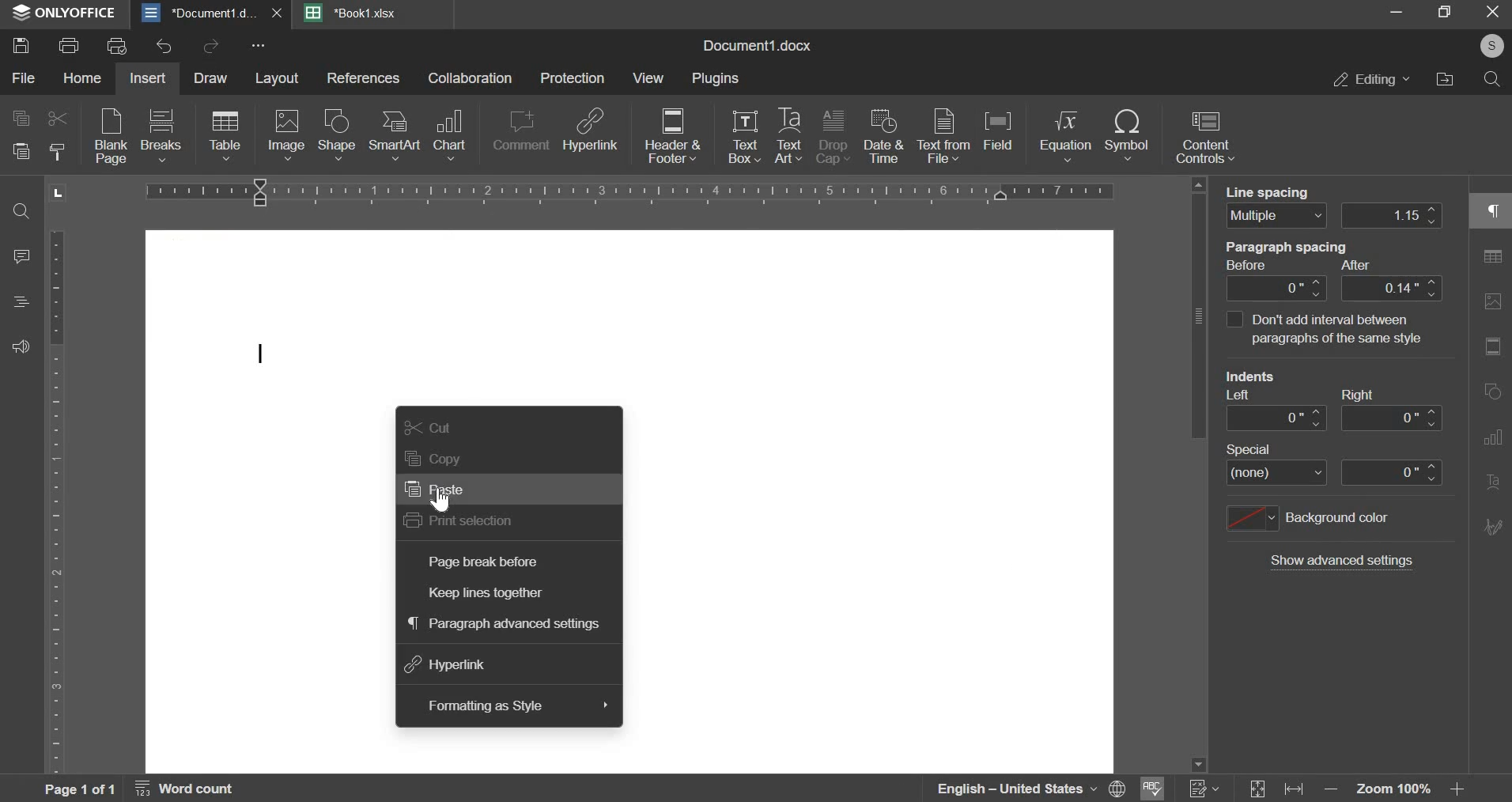 This screenshot has height=802, width=1512. What do you see at coordinates (441, 500) in the screenshot?
I see `Cursor` at bounding box center [441, 500].